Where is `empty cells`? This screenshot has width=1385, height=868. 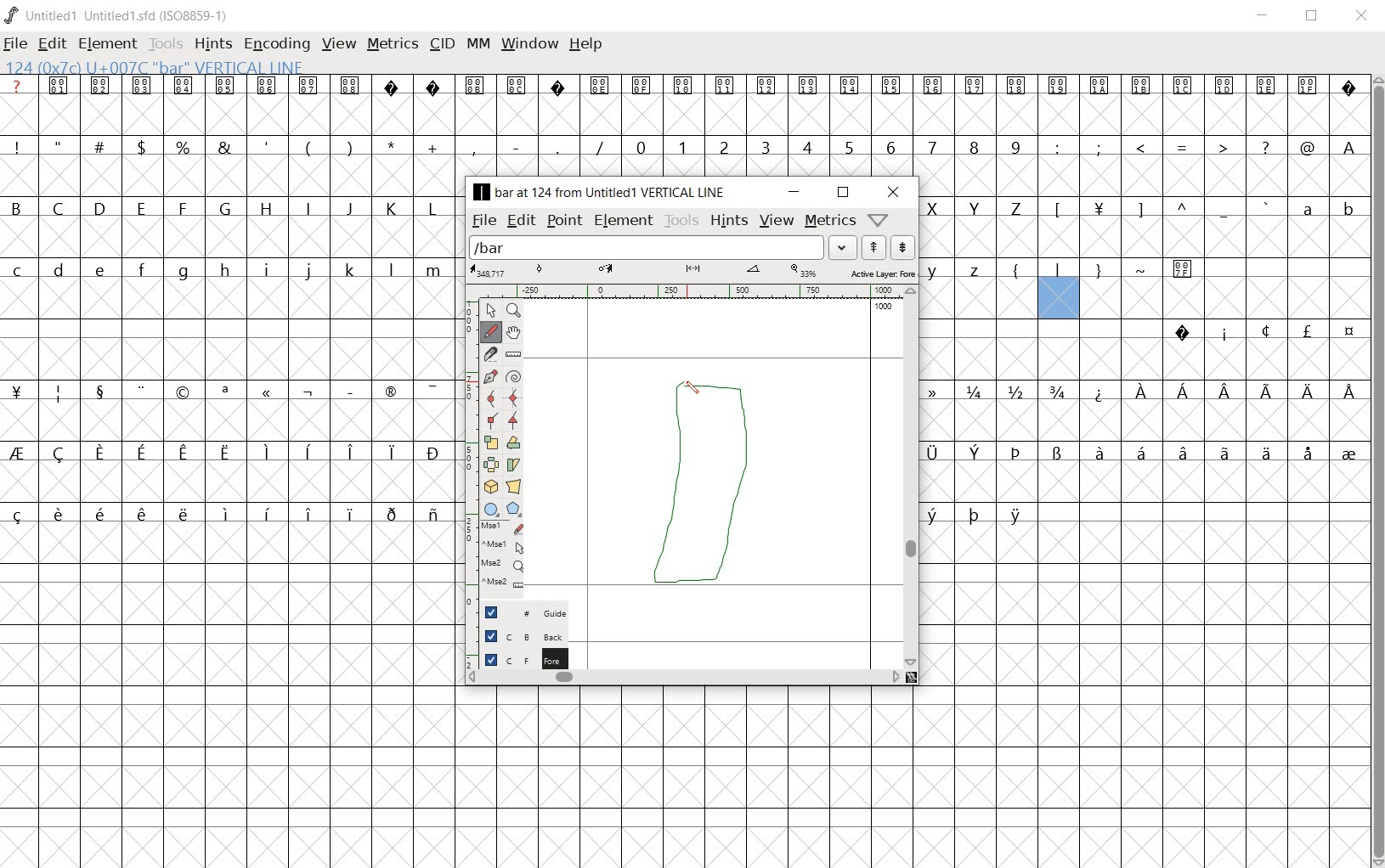 empty cells is located at coordinates (229, 177).